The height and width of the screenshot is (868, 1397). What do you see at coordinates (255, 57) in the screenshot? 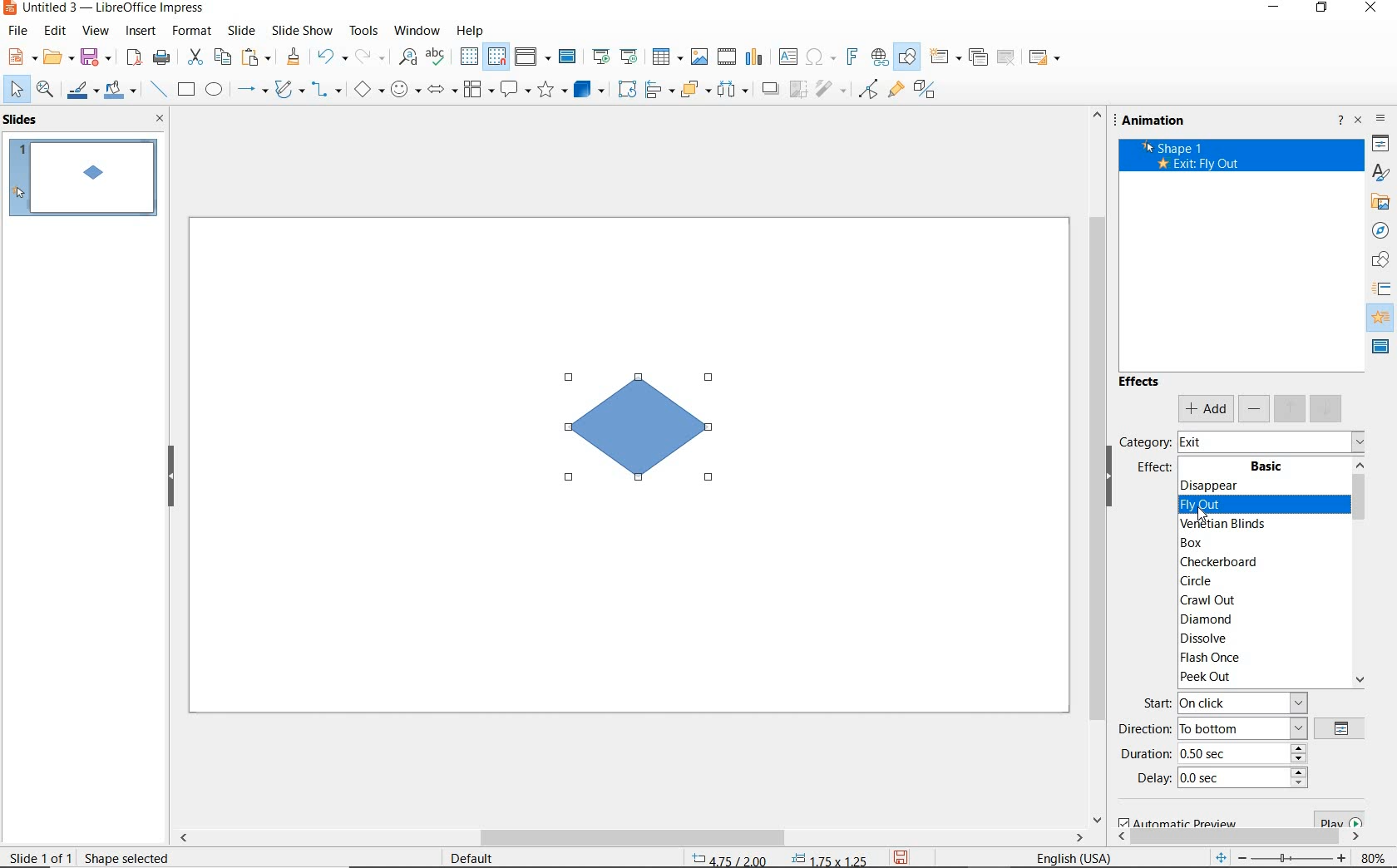
I see `paste` at bounding box center [255, 57].